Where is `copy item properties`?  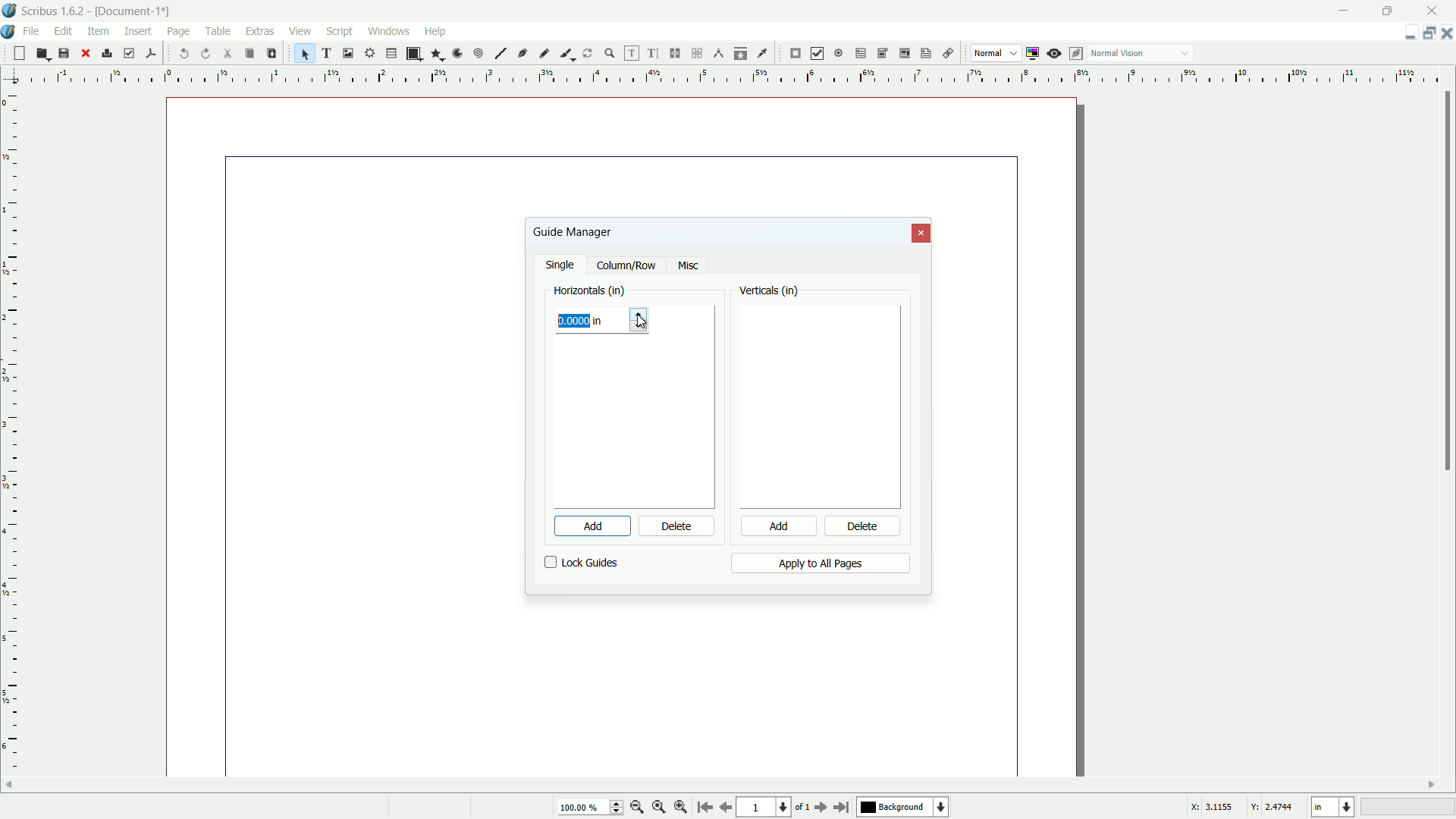
copy item properties is located at coordinates (741, 53).